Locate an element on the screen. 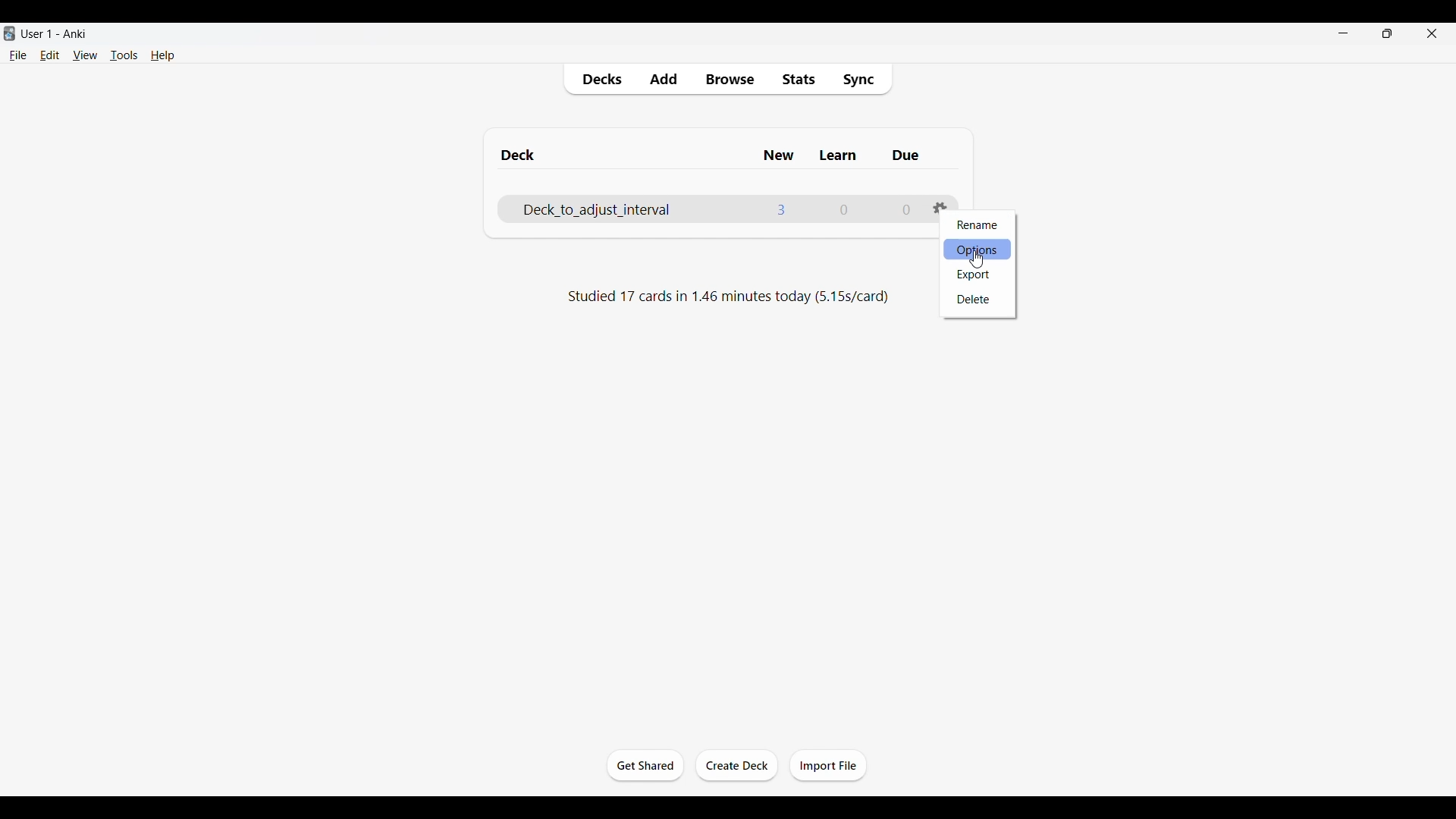  Show interface in smaller tab is located at coordinates (1388, 33).